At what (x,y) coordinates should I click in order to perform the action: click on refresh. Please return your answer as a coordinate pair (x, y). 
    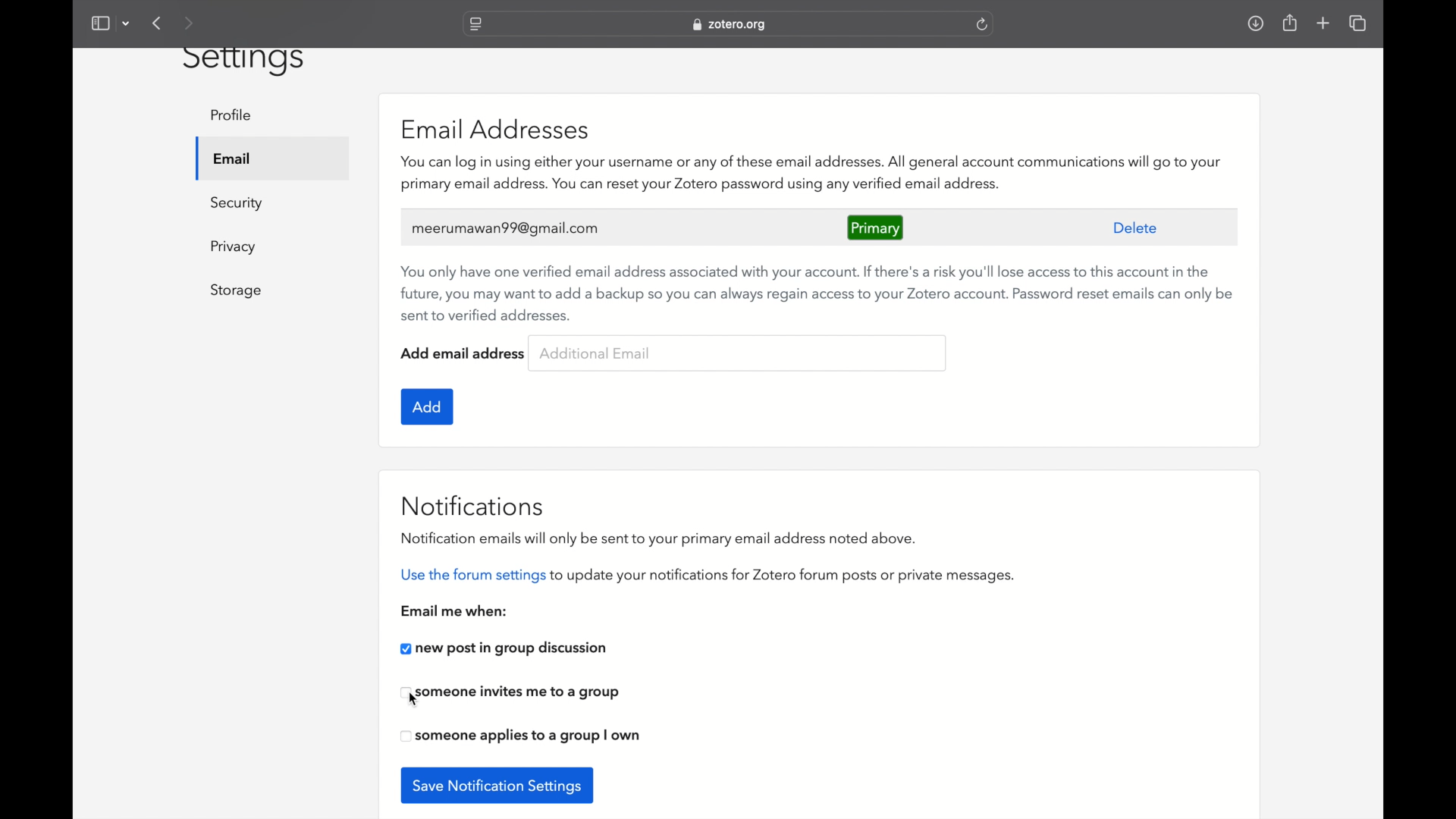
    Looking at the image, I should click on (983, 24).